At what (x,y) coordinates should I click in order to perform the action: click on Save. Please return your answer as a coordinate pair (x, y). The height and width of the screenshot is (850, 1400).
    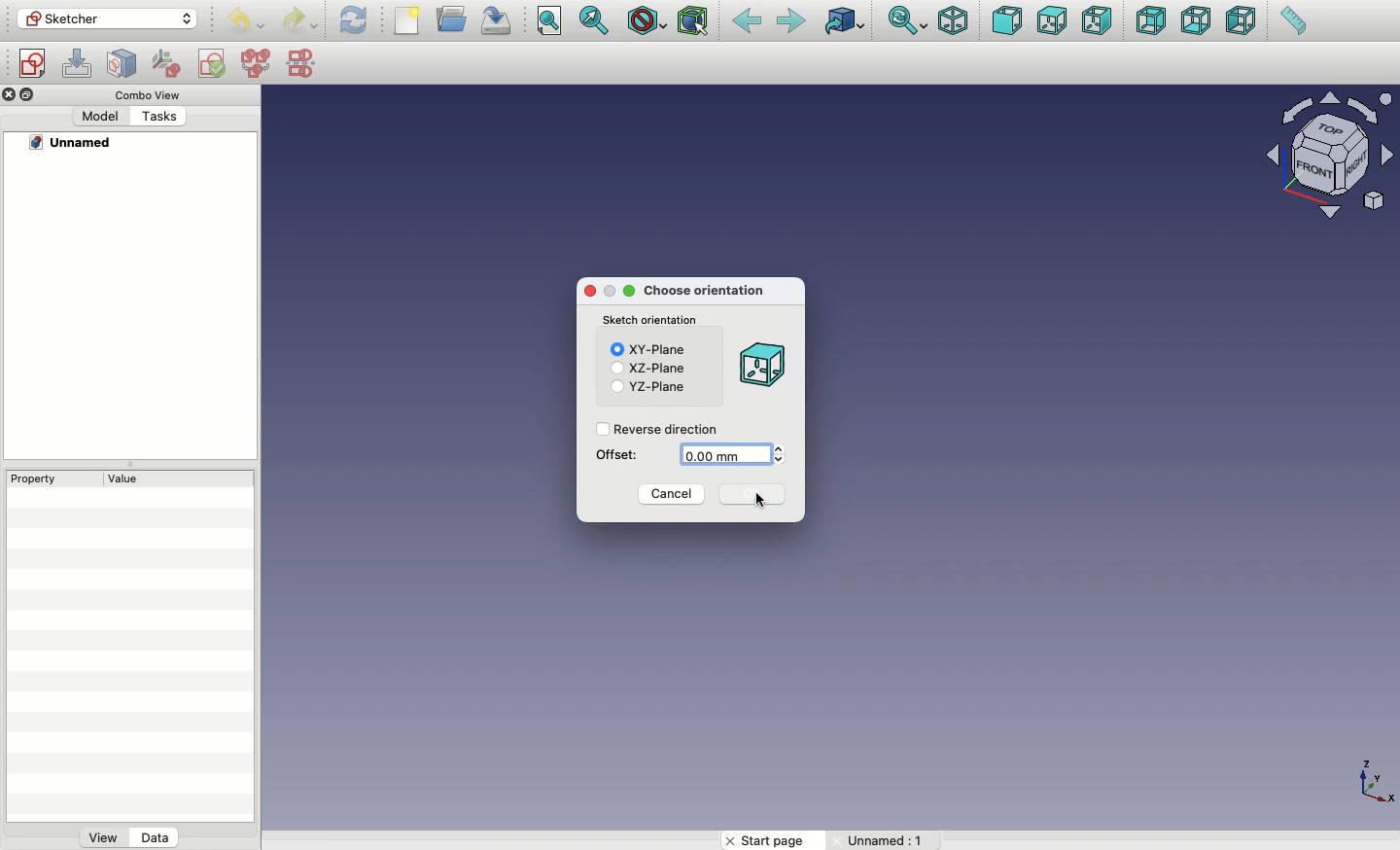
    Looking at the image, I should click on (501, 20).